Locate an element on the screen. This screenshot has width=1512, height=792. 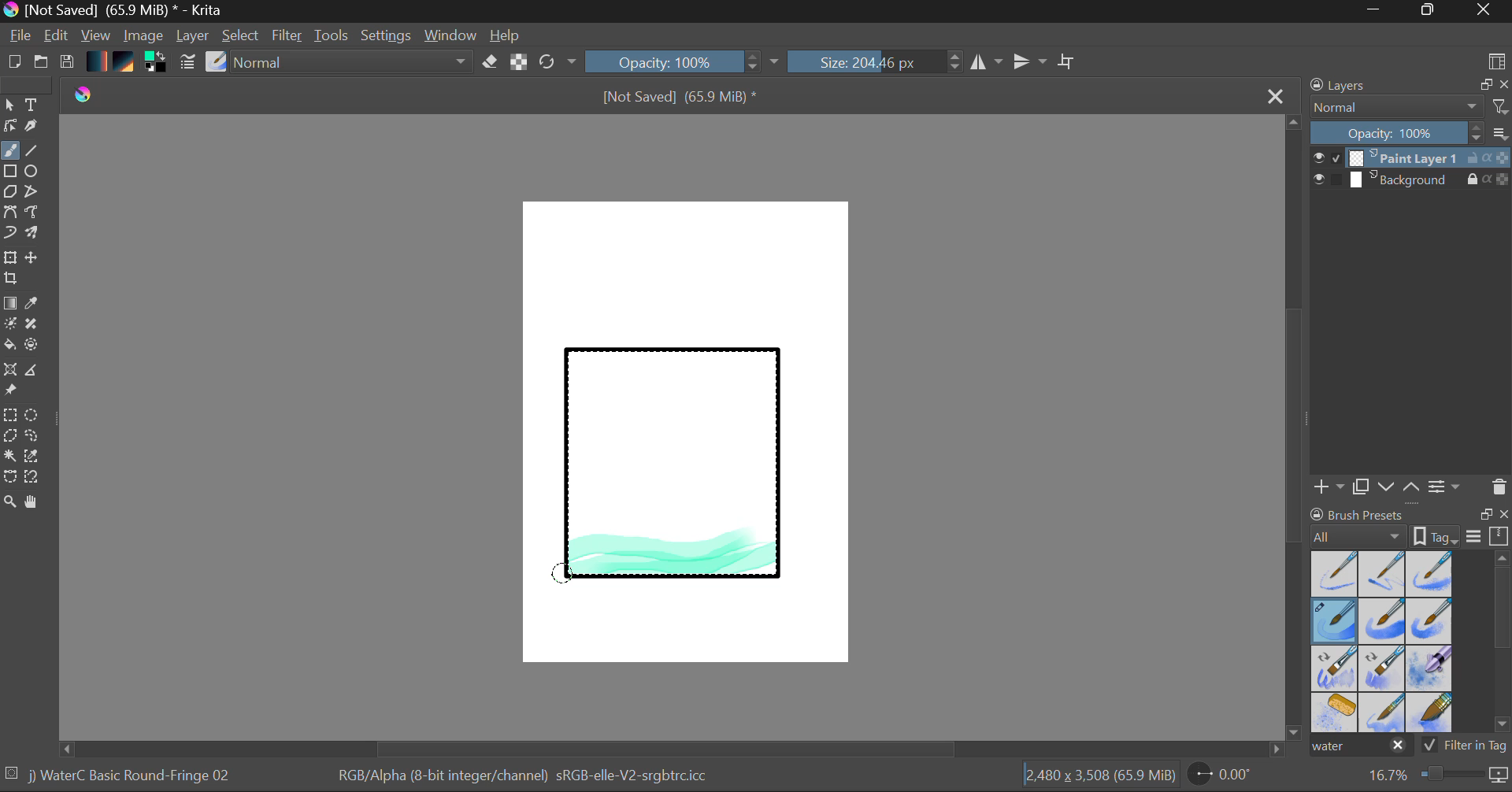
Bezier Curve Selector is located at coordinates (9, 478).